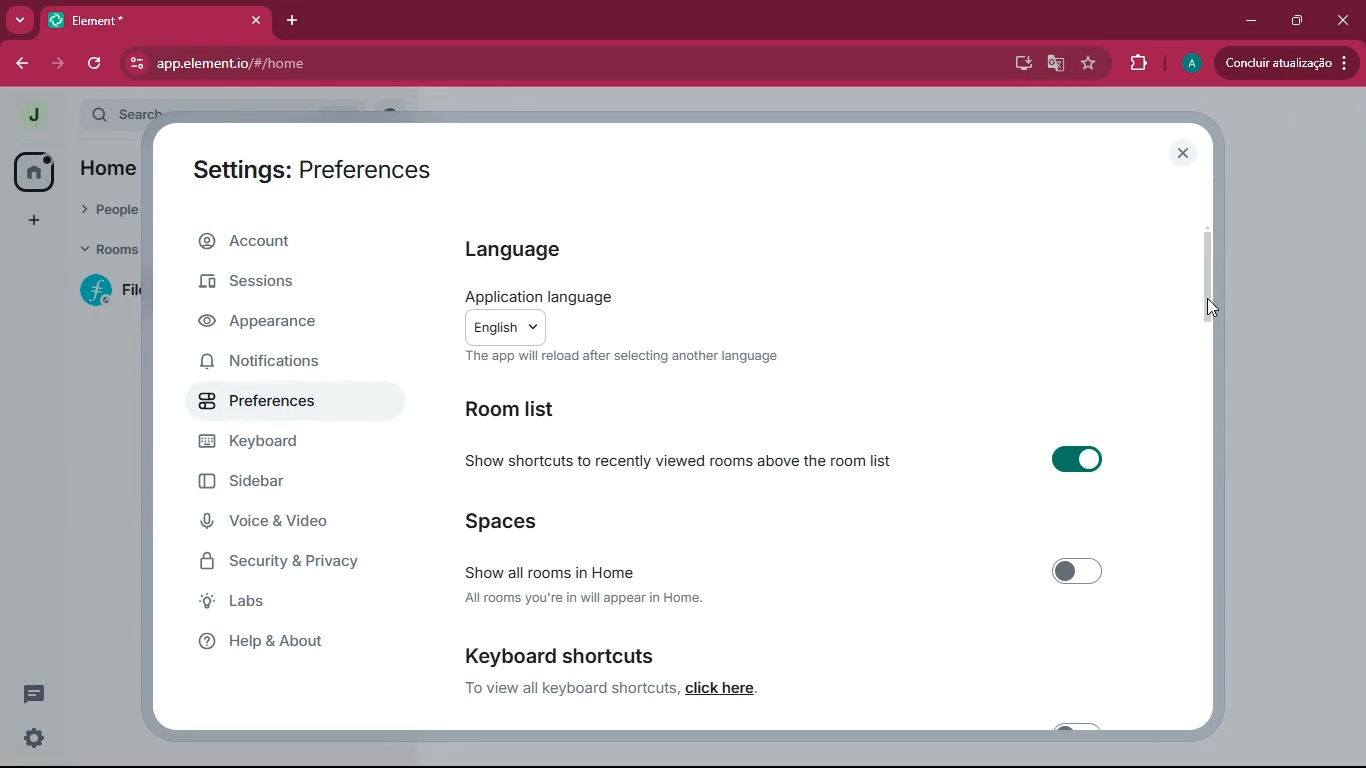 Image resolution: width=1366 pixels, height=768 pixels. What do you see at coordinates (1136, 62) in the screenshot?
I see `extensions` at bounding box center [1136, 62].